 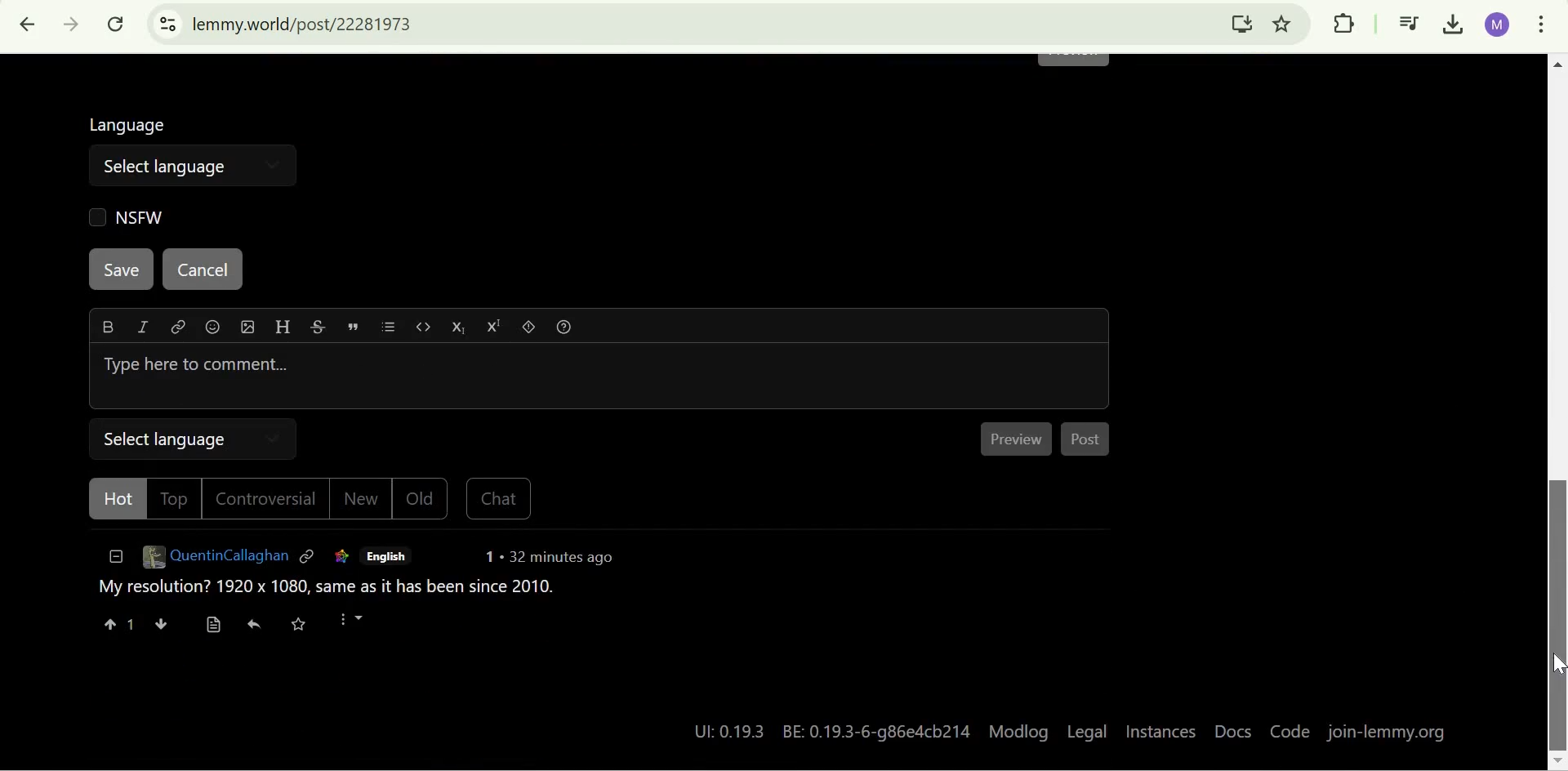 I want to click on Bold, so click(x=108, y=327).